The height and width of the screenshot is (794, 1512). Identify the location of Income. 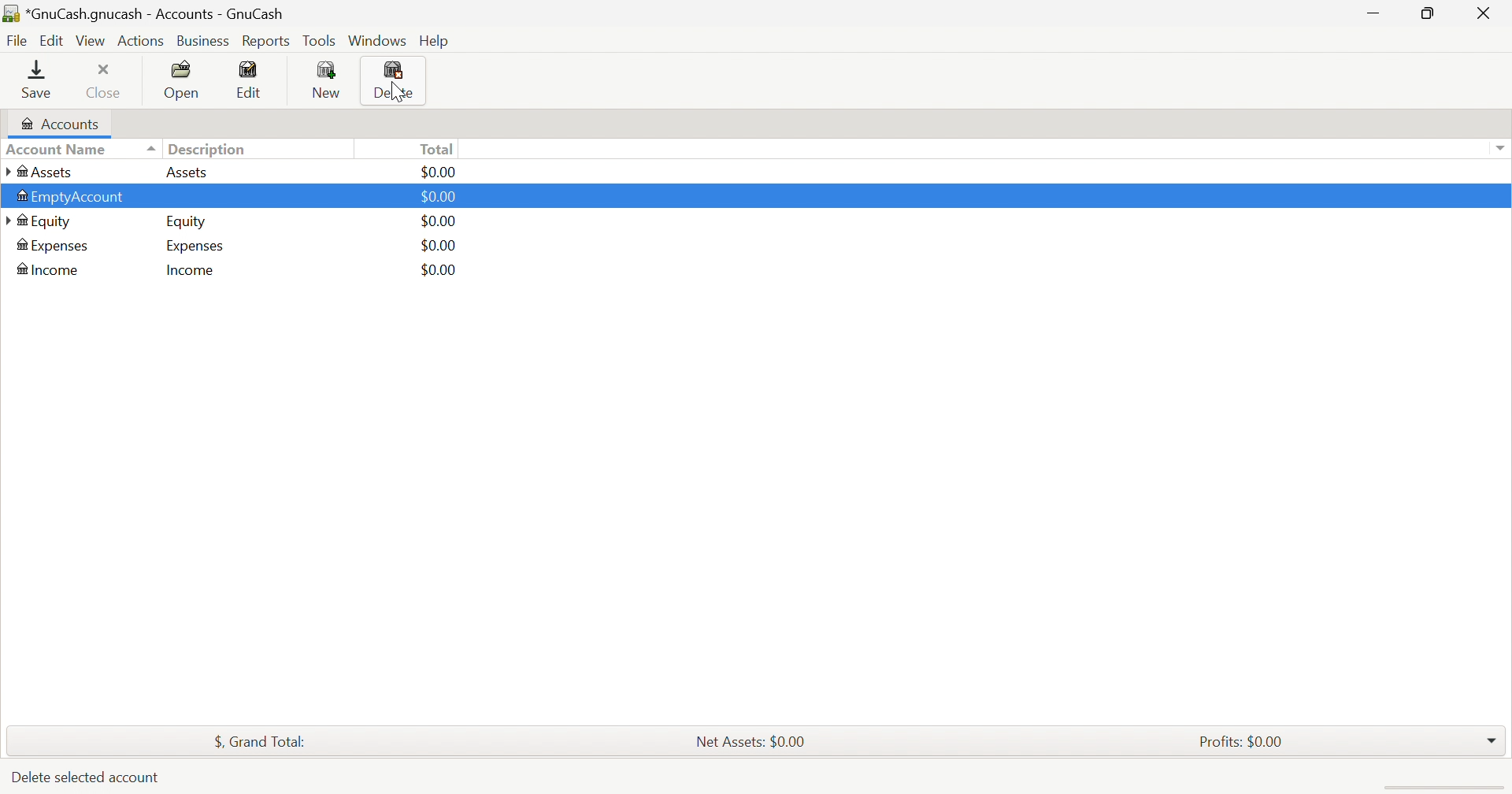
(49, 270).